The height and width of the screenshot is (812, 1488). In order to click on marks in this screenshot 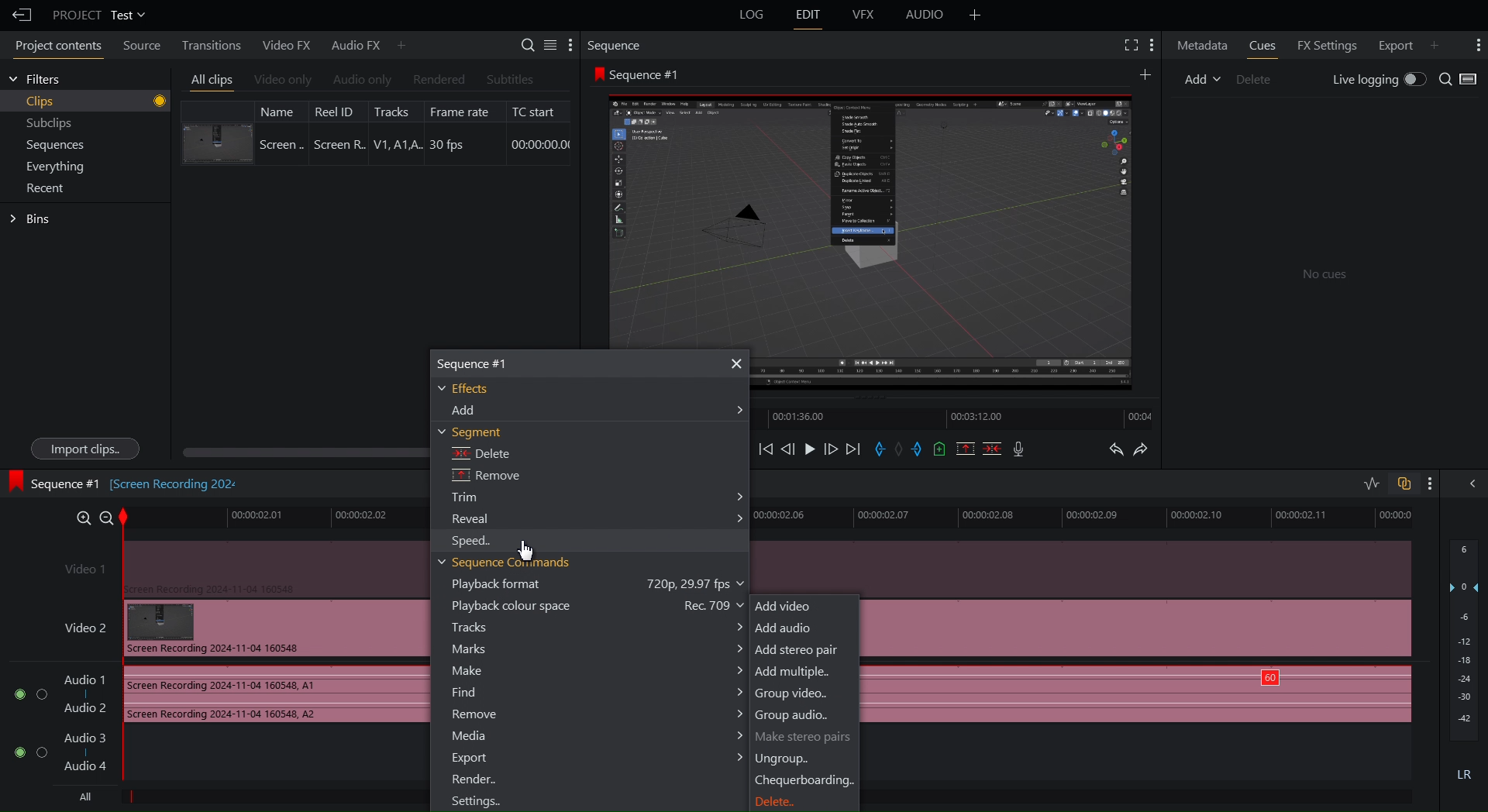, I will do `click(598, 650)`.